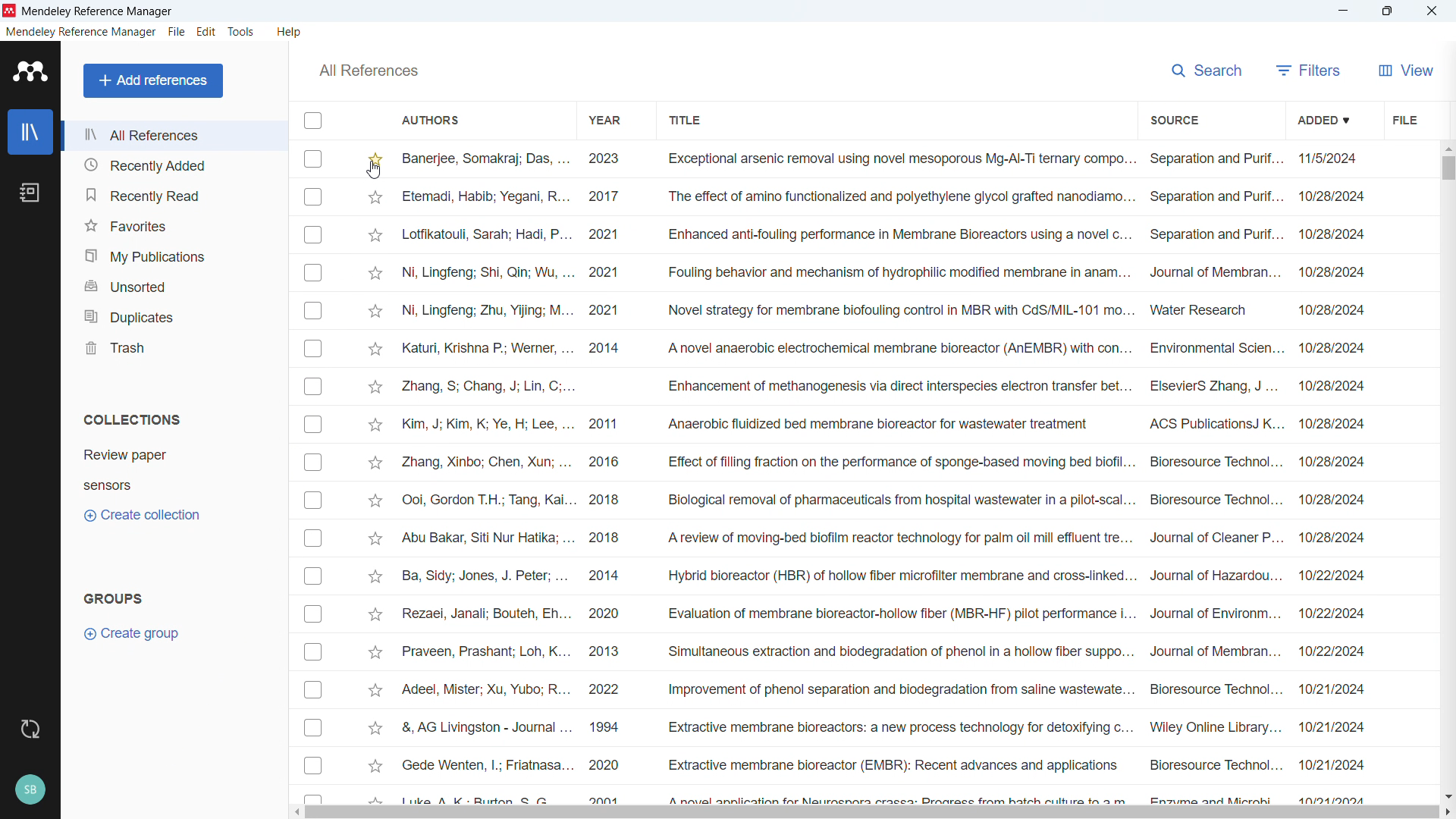  Describe the element at coordinates (30, 131) in the screenshot. I see `library` at that location.